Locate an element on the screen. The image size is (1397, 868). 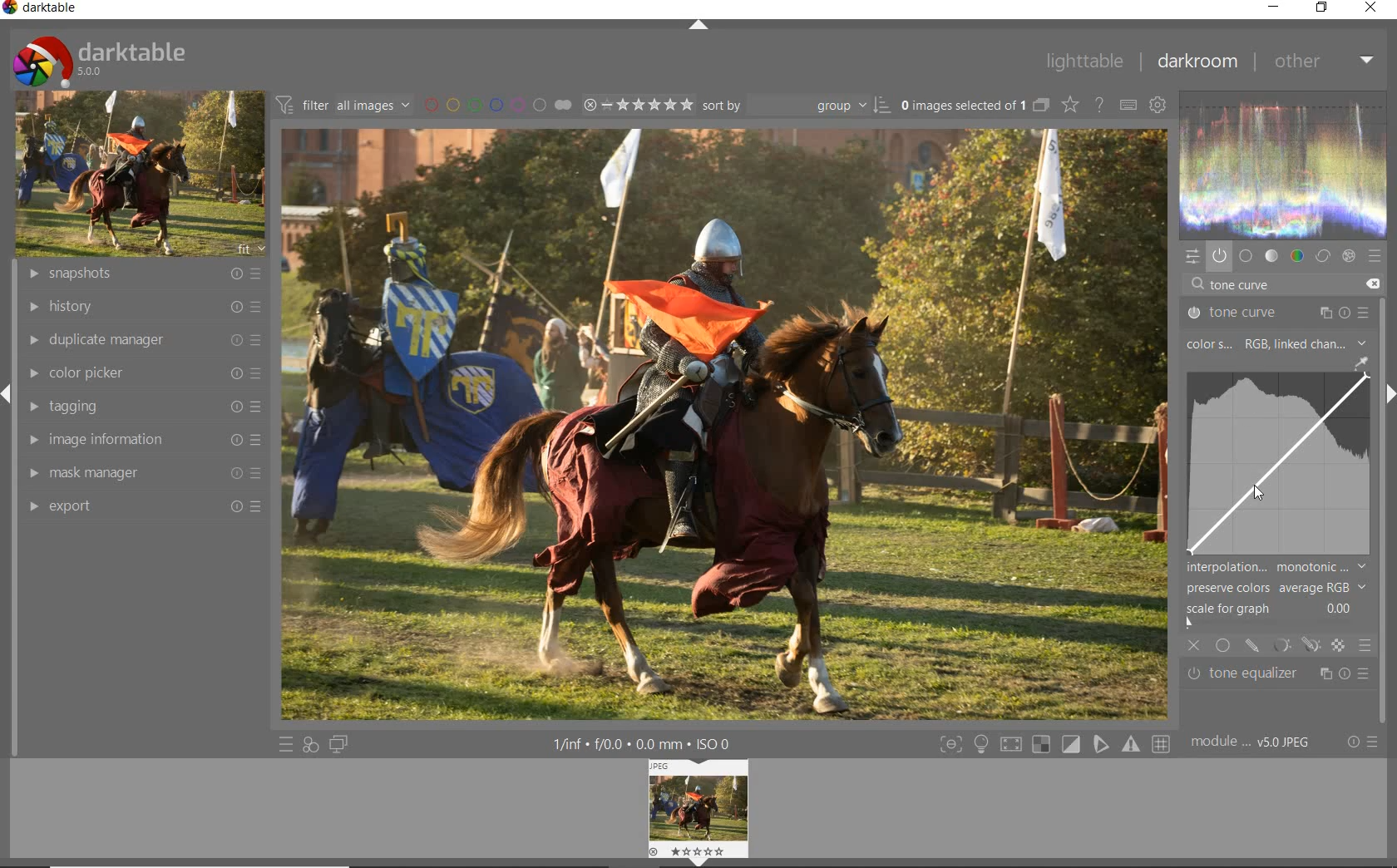
blending options is located at coordinates (1364, 644).